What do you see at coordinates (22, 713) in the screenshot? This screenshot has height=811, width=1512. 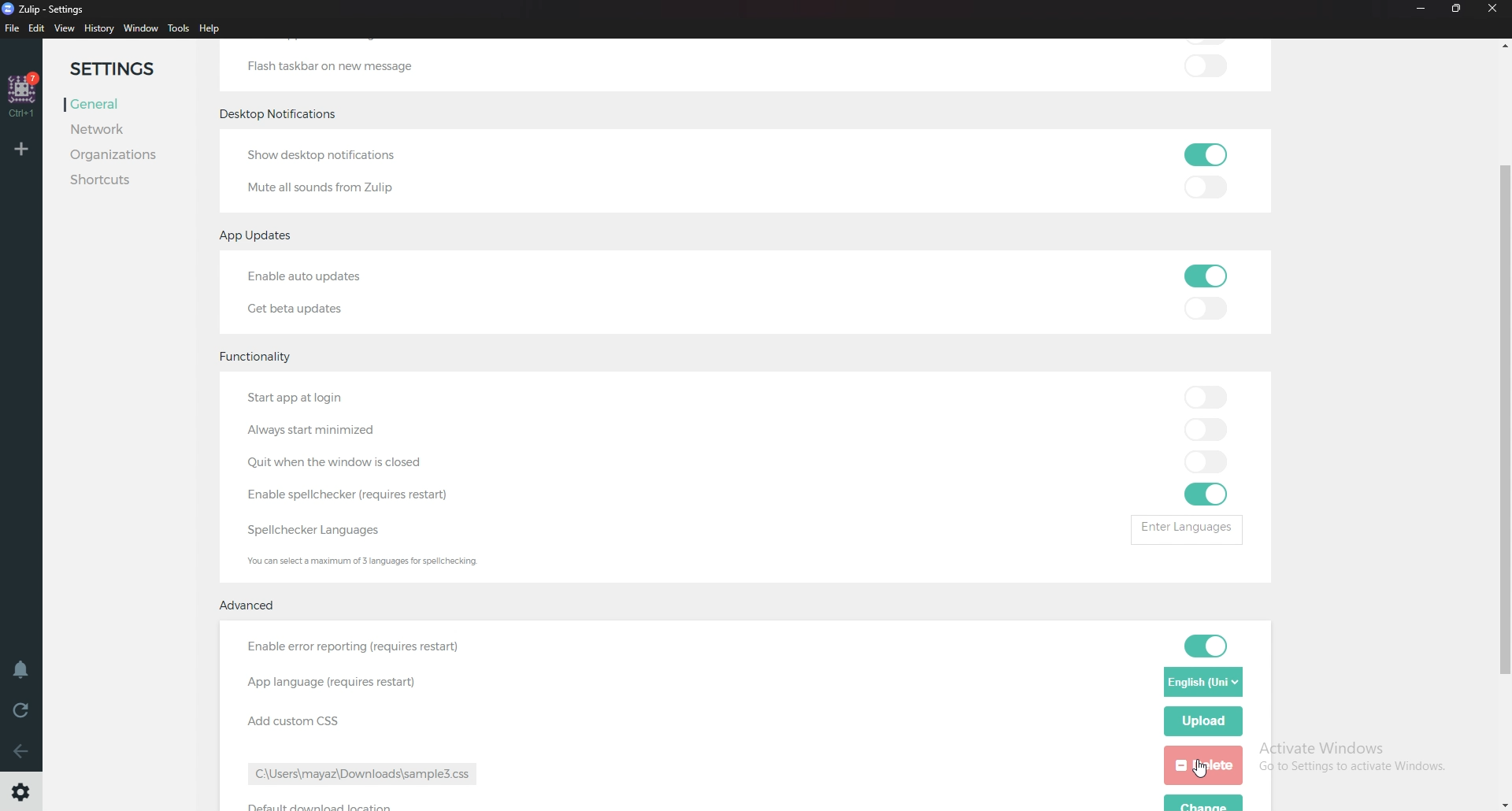 I see `Reload` at bounding box center [22, 713].